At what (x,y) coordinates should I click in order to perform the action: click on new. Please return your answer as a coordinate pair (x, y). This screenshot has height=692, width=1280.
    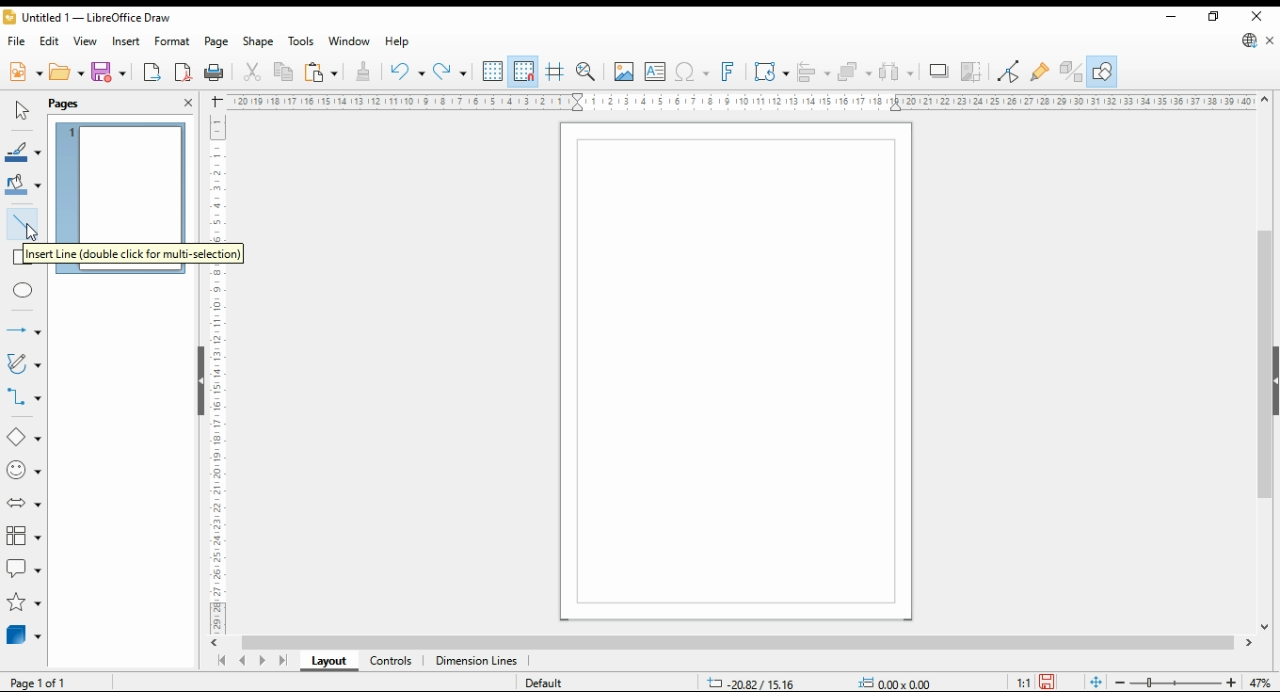
    Looking at the image, I should click on (24, 72).